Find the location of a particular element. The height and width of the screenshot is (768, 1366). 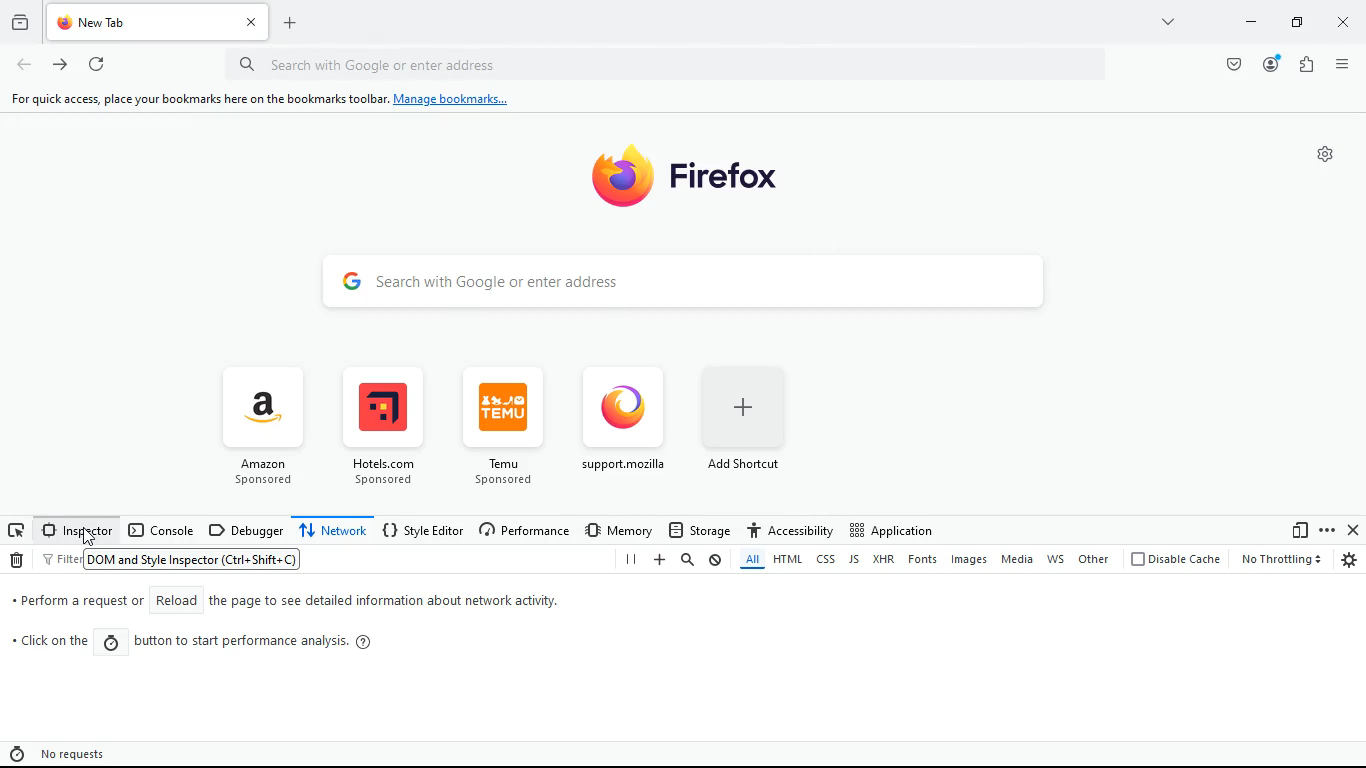

no requests is located at coordinates (74, 752).